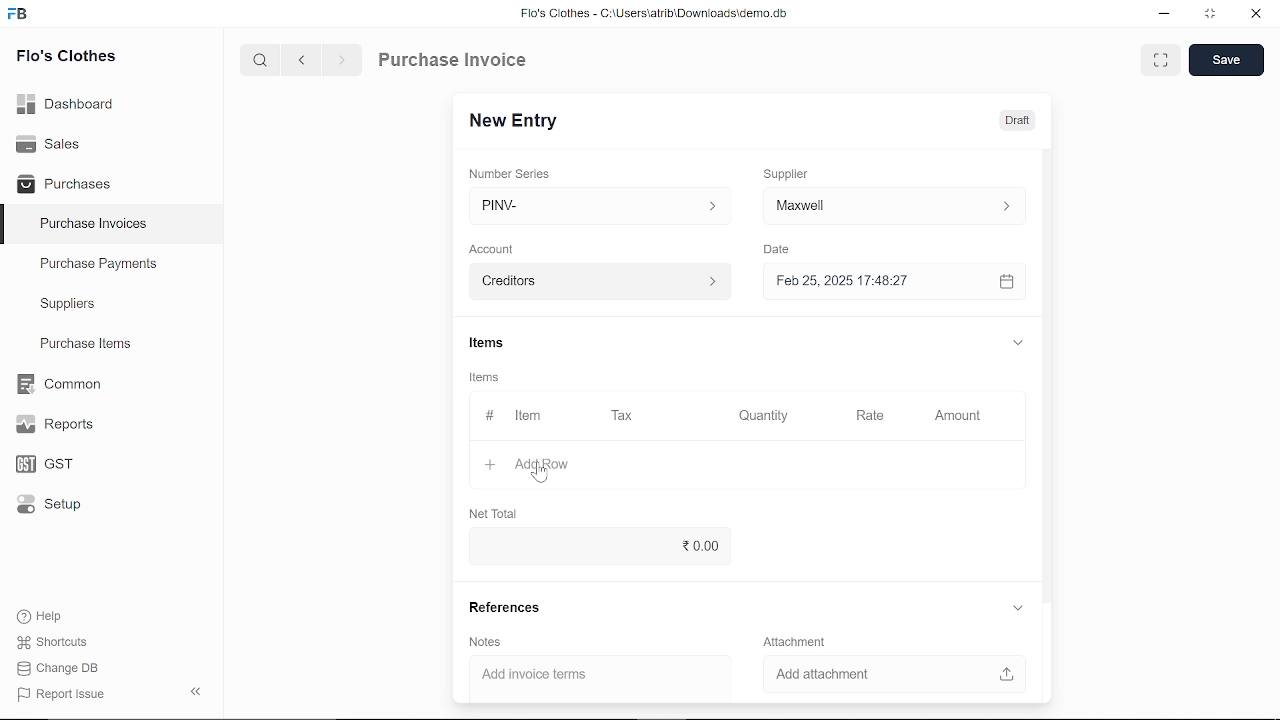 The height and width of the screenshot is (720, 1280). I want to click on Purchase Invoices, so click(94, 226).